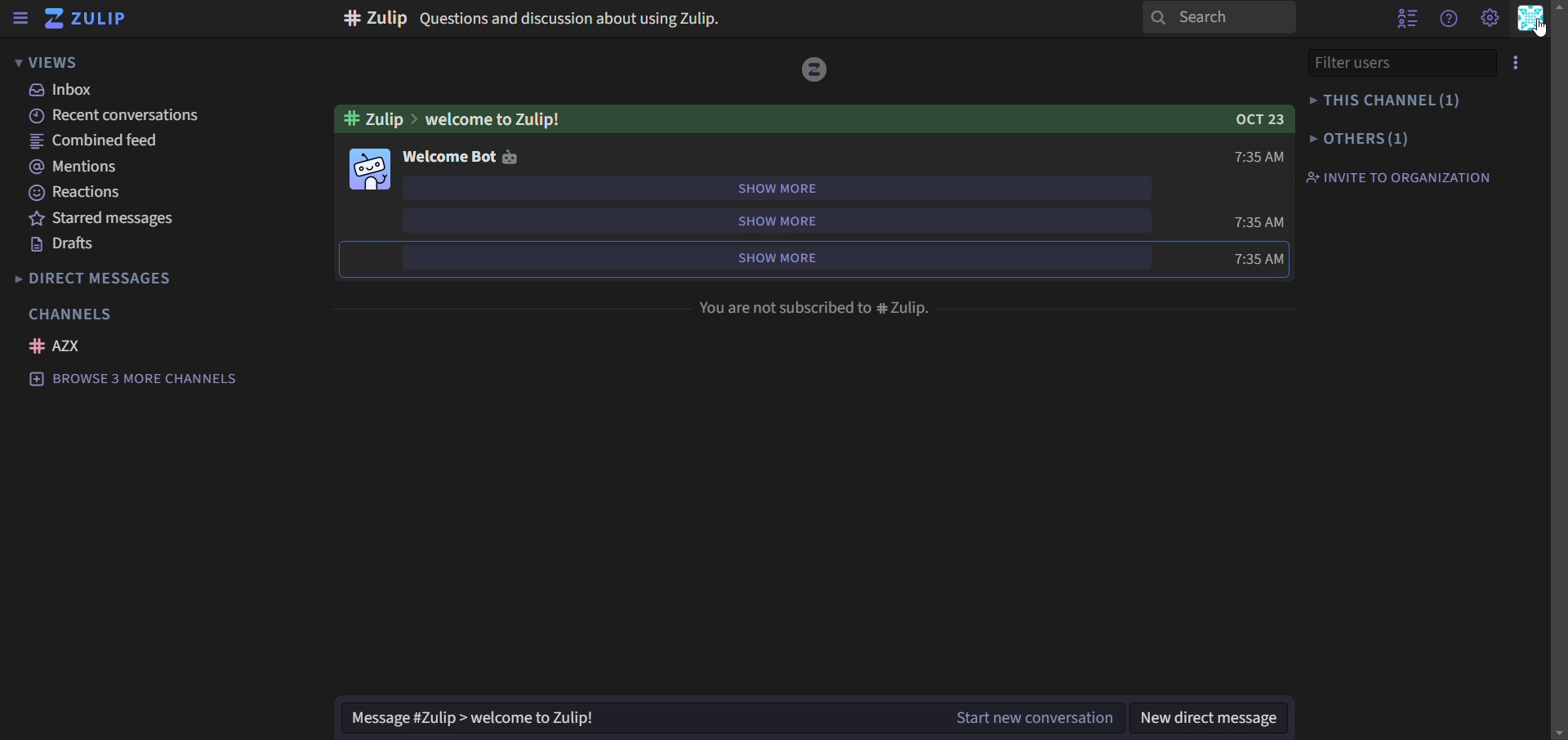 This screenshot has width=1568, height=740. I want to click on AZX, so click(58, 345).